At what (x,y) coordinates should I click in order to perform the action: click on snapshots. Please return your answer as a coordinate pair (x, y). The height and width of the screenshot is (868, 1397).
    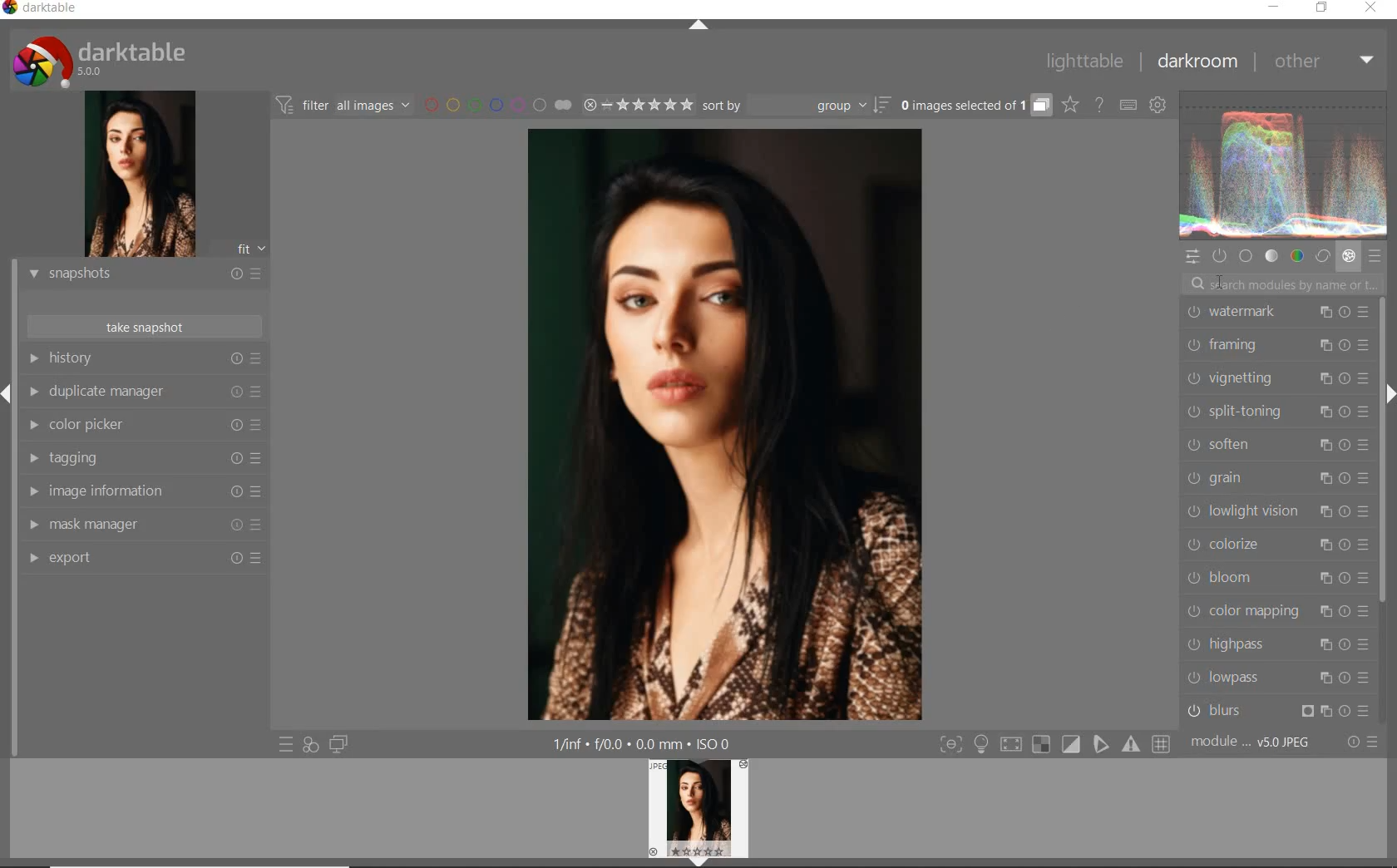
    Looking at the image, I should click on (142, 274).